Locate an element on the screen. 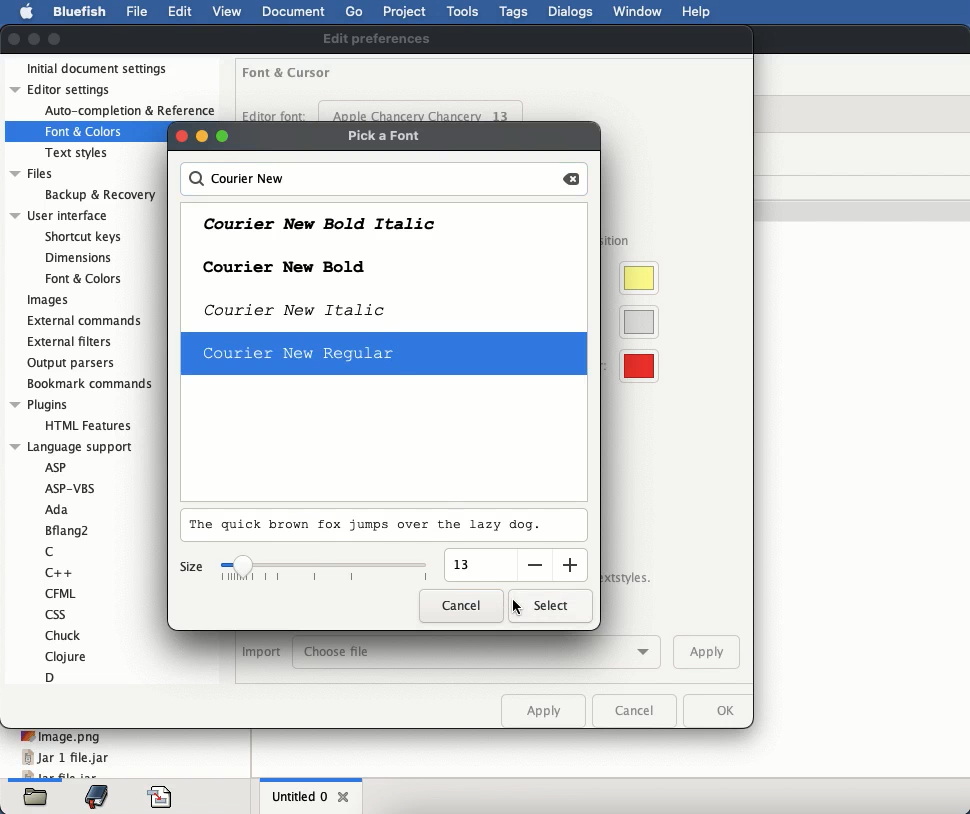 The image size is (970, 814). file is located at coordinates (136, 11).